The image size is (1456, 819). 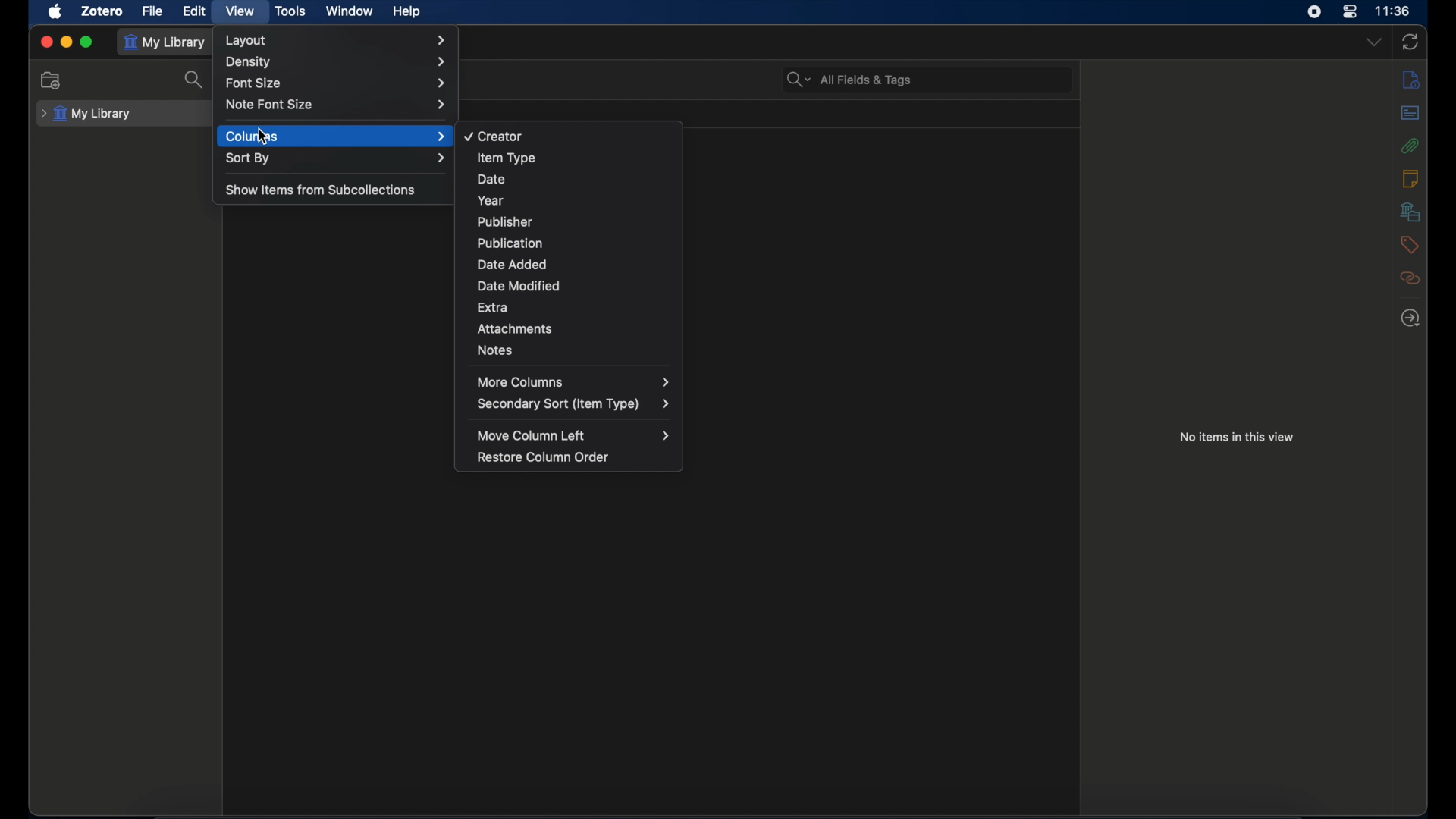 I want to click on extra, so click(x=494, y=306).